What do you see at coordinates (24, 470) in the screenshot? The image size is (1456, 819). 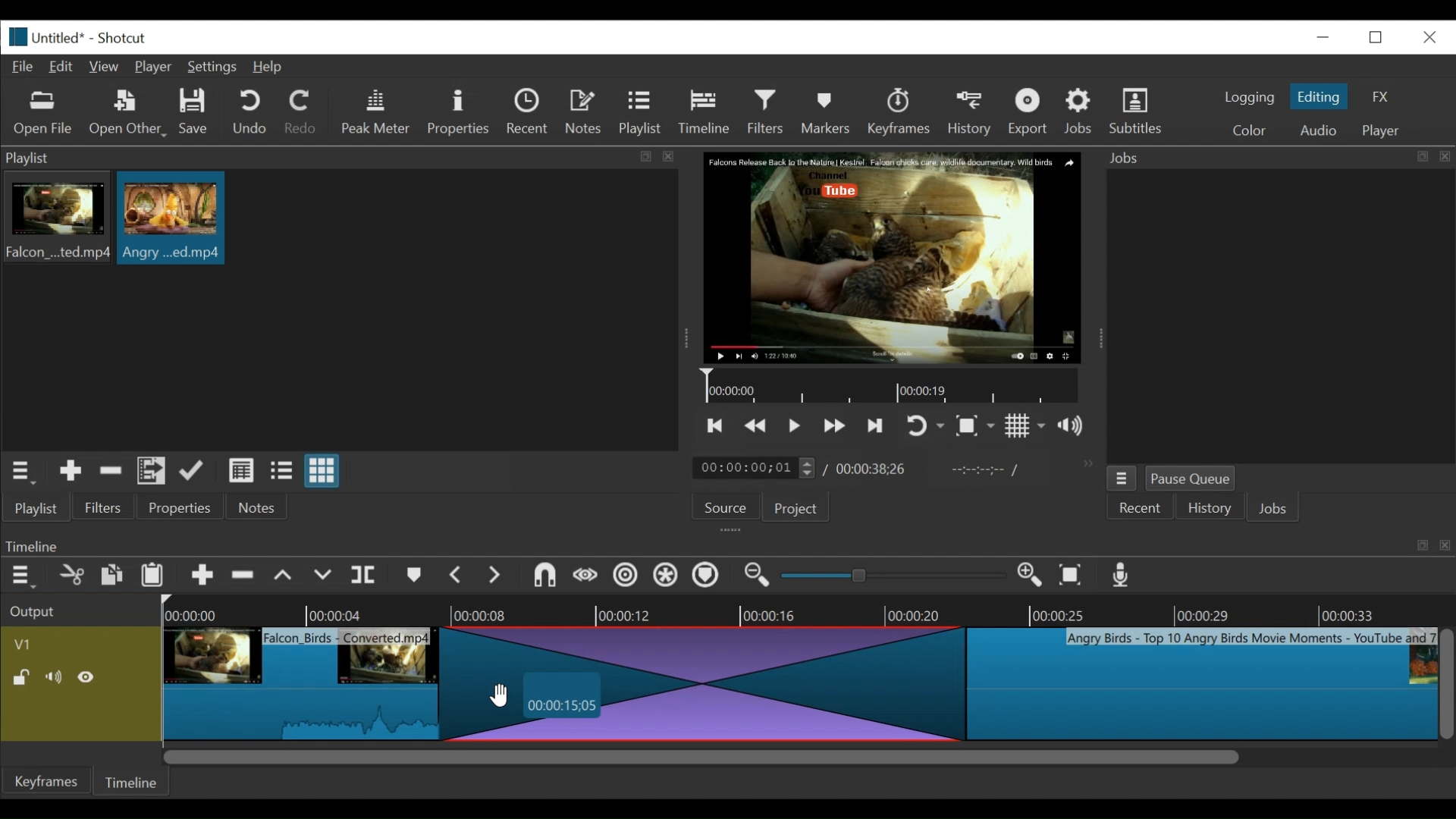 I see `playlist menu` at bounding box center [24, 470].